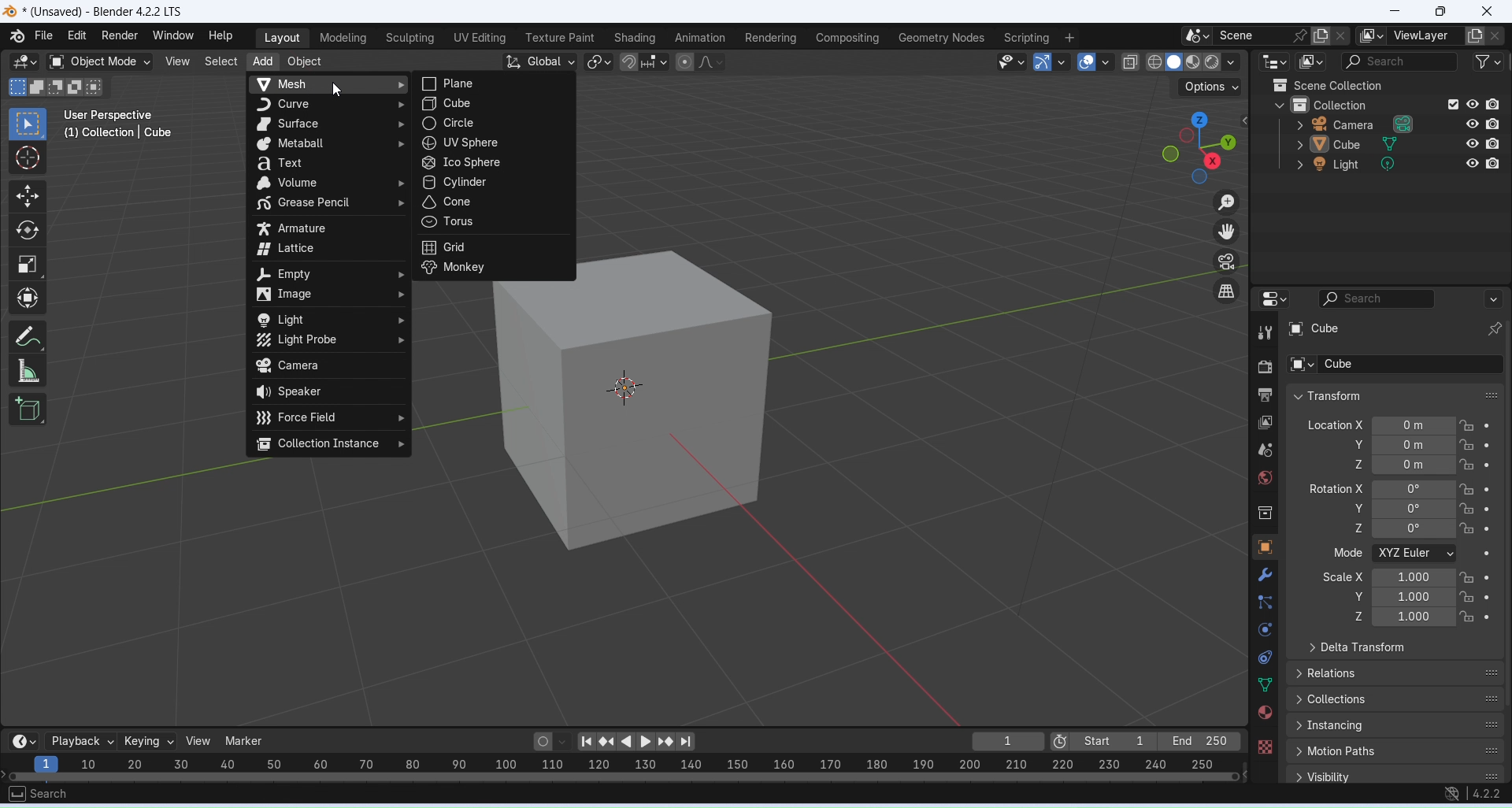  I want to click on Y axis, so click(1434, 509).